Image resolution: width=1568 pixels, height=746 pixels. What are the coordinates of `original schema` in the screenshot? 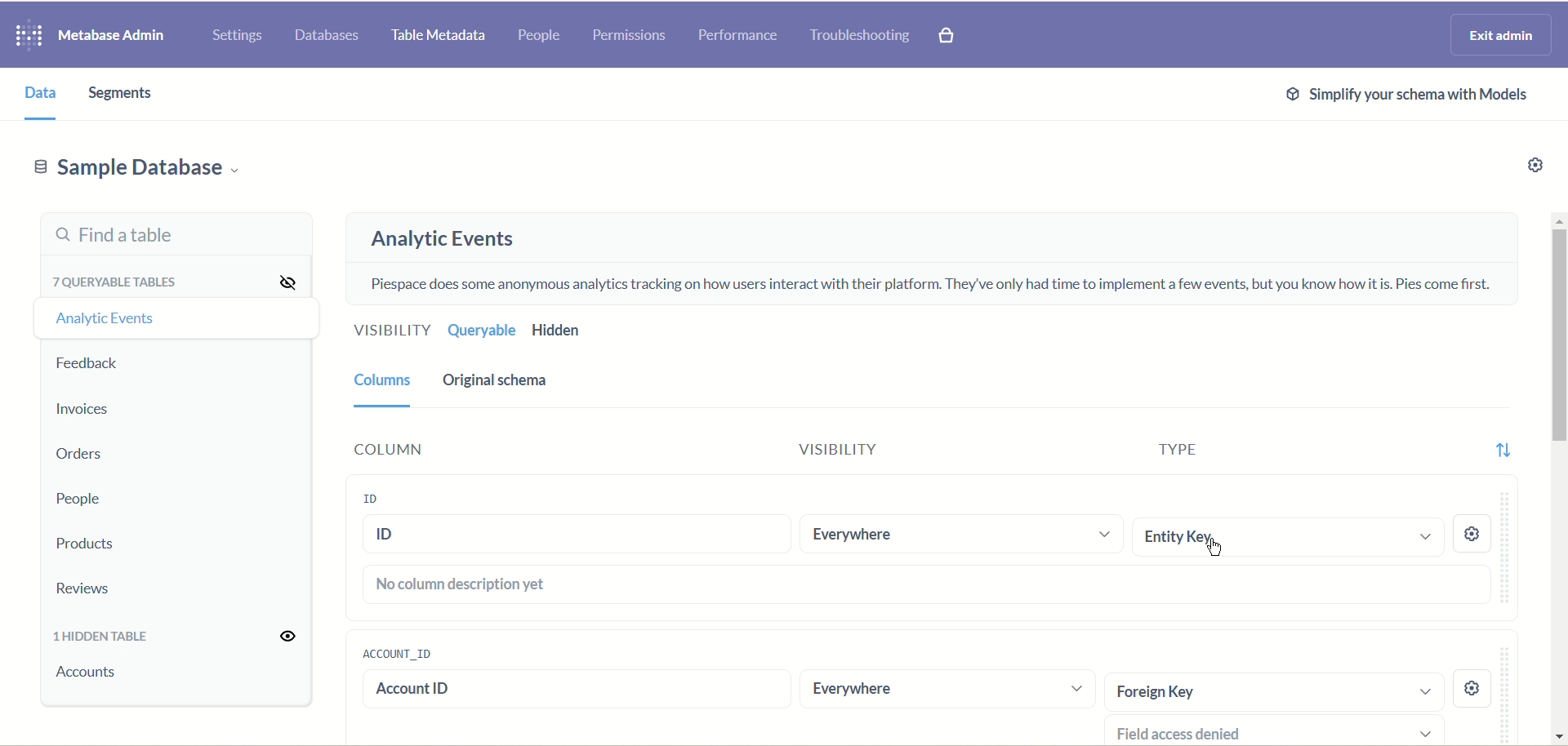 It's located at (496, 383).